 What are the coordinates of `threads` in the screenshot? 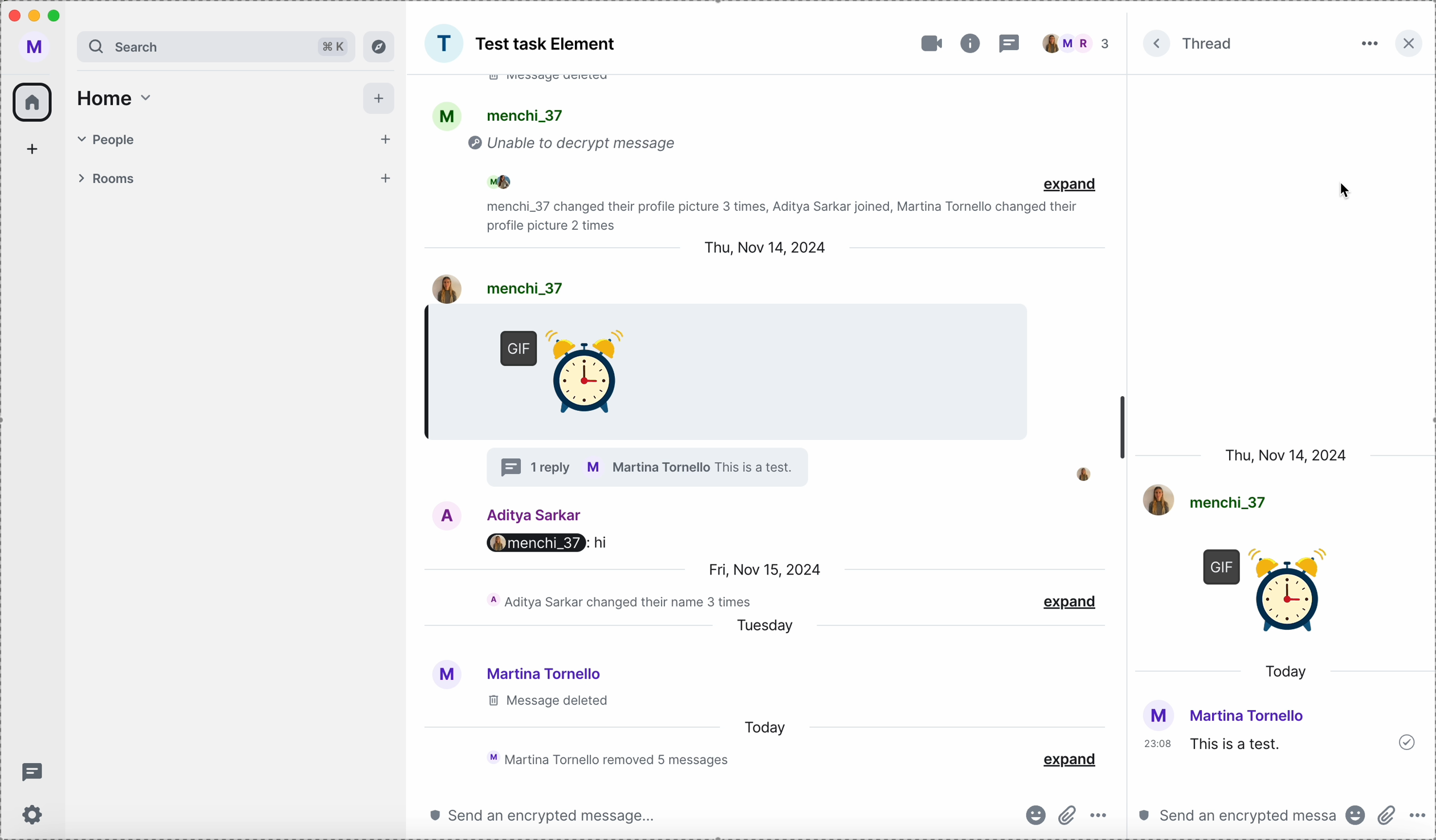 It's located at (32, 774).